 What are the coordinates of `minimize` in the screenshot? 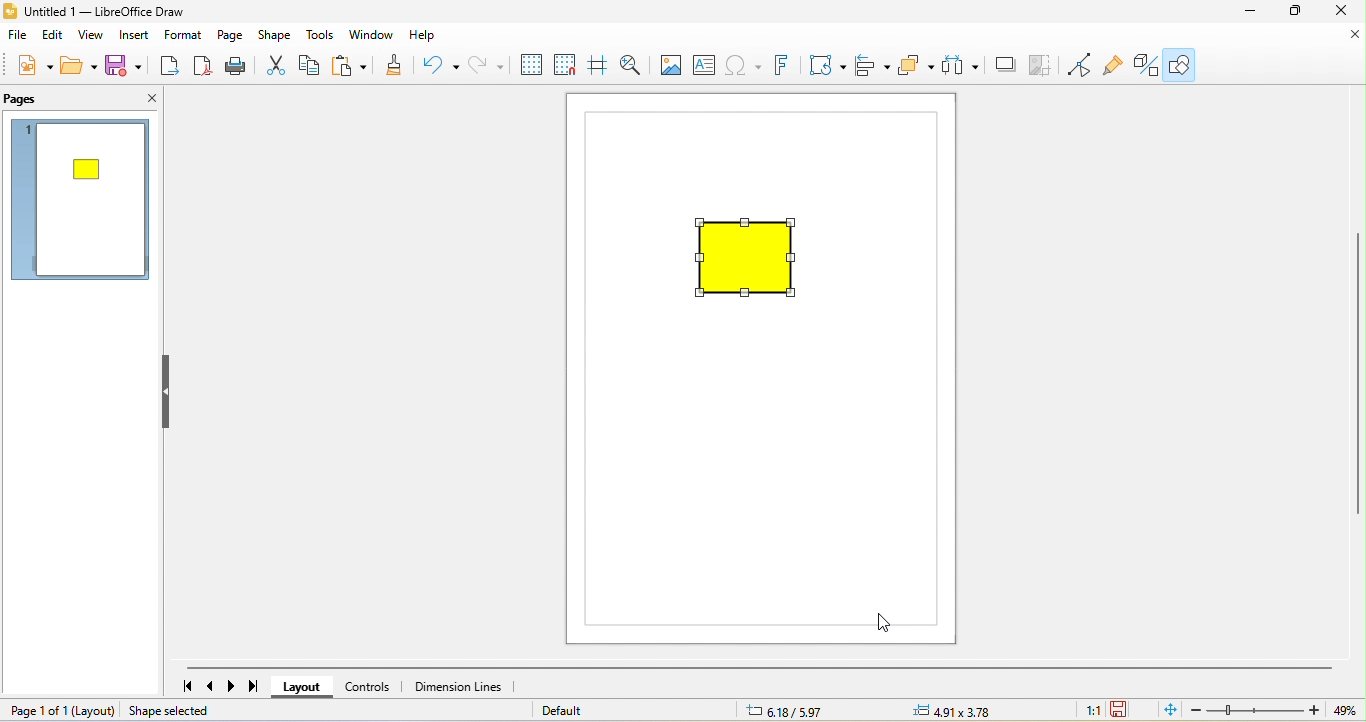 It's located at (1250, 12).